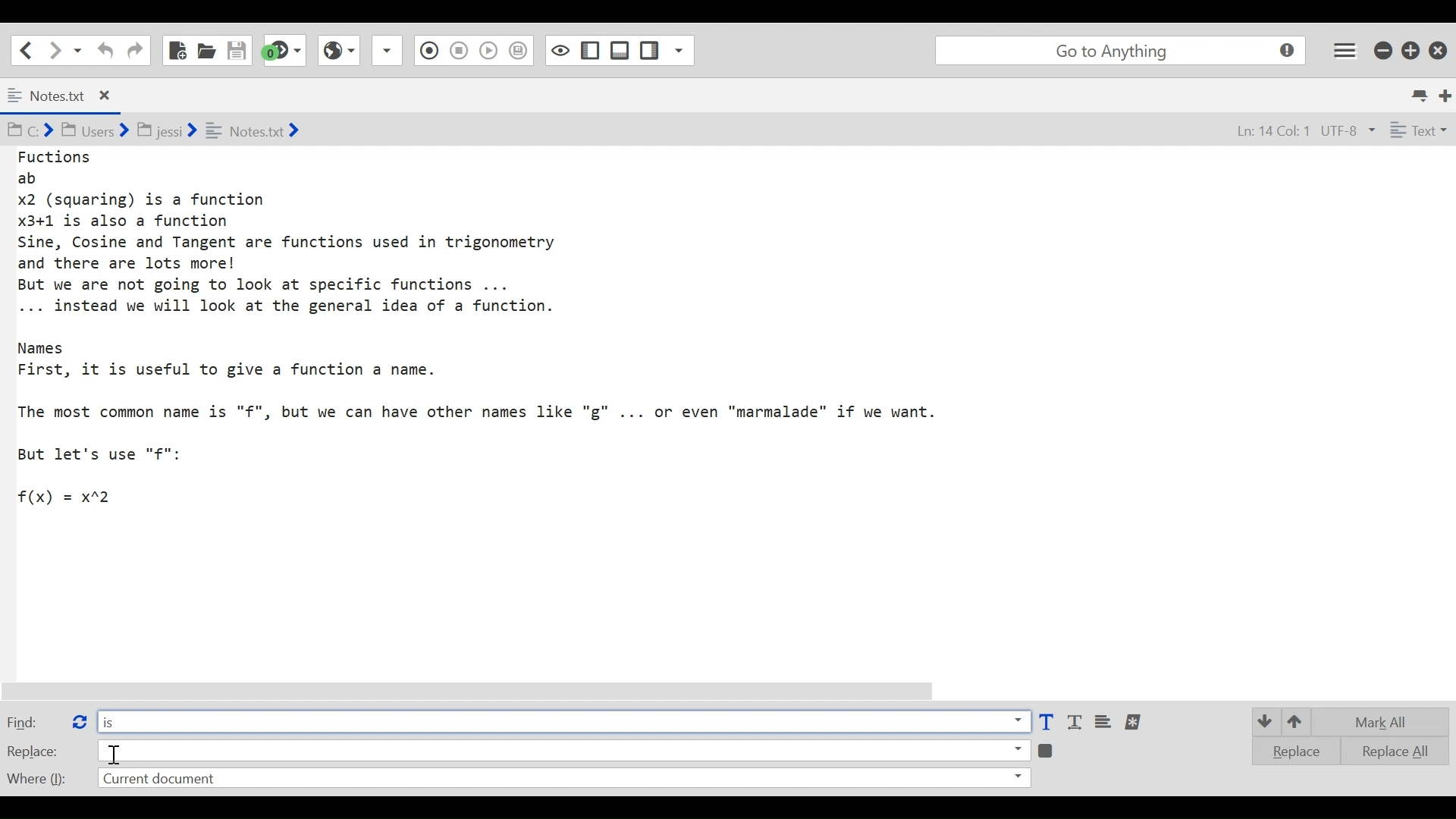 This screenshot has height=819, width=1456. What do you see at coordinates (563, 749) in the screenshot?
I see `Replace Field` at bounding box center [563, 749].